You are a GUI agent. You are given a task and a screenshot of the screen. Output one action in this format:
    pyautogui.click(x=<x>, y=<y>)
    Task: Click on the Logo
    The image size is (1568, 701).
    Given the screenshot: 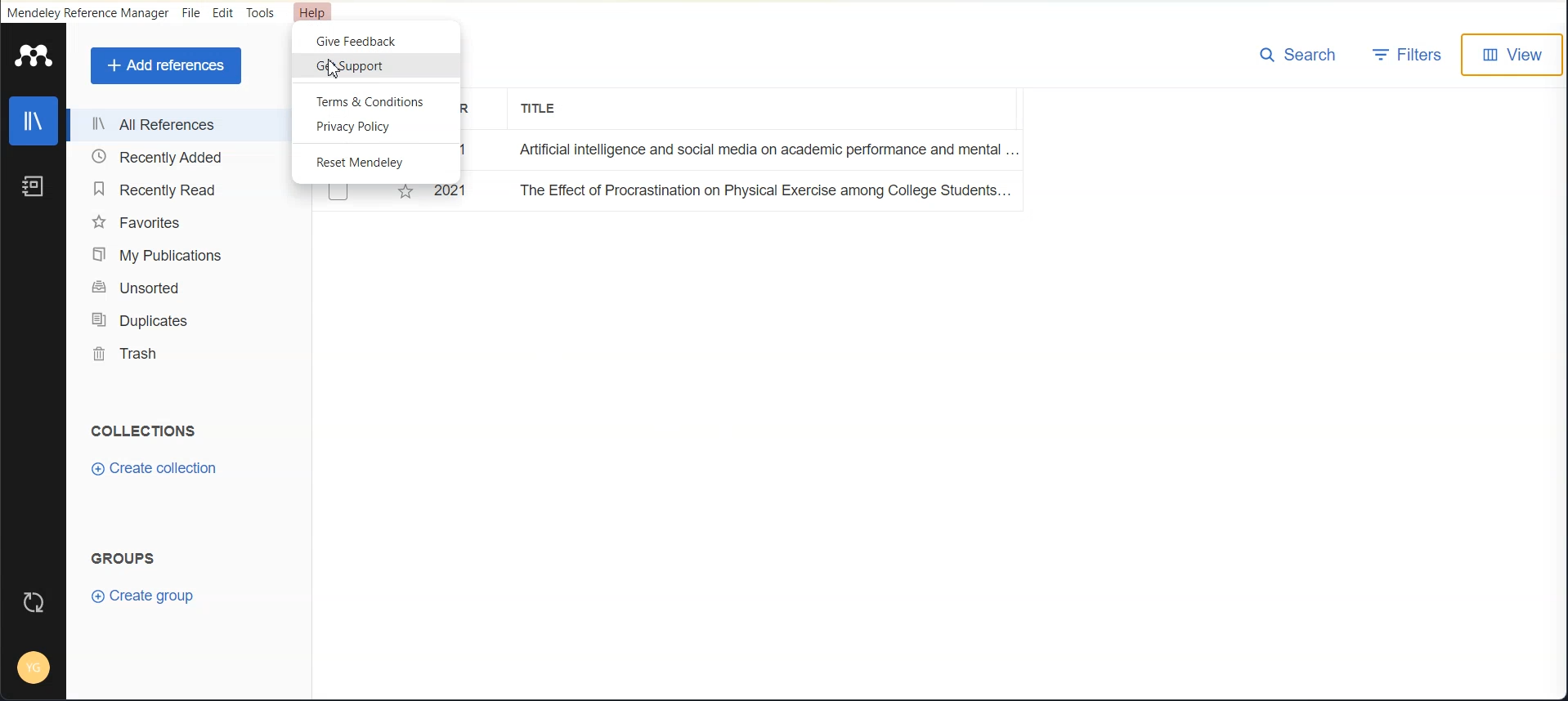 What is the action you would take?
    pyautogui.click(x=34, y=55)
    